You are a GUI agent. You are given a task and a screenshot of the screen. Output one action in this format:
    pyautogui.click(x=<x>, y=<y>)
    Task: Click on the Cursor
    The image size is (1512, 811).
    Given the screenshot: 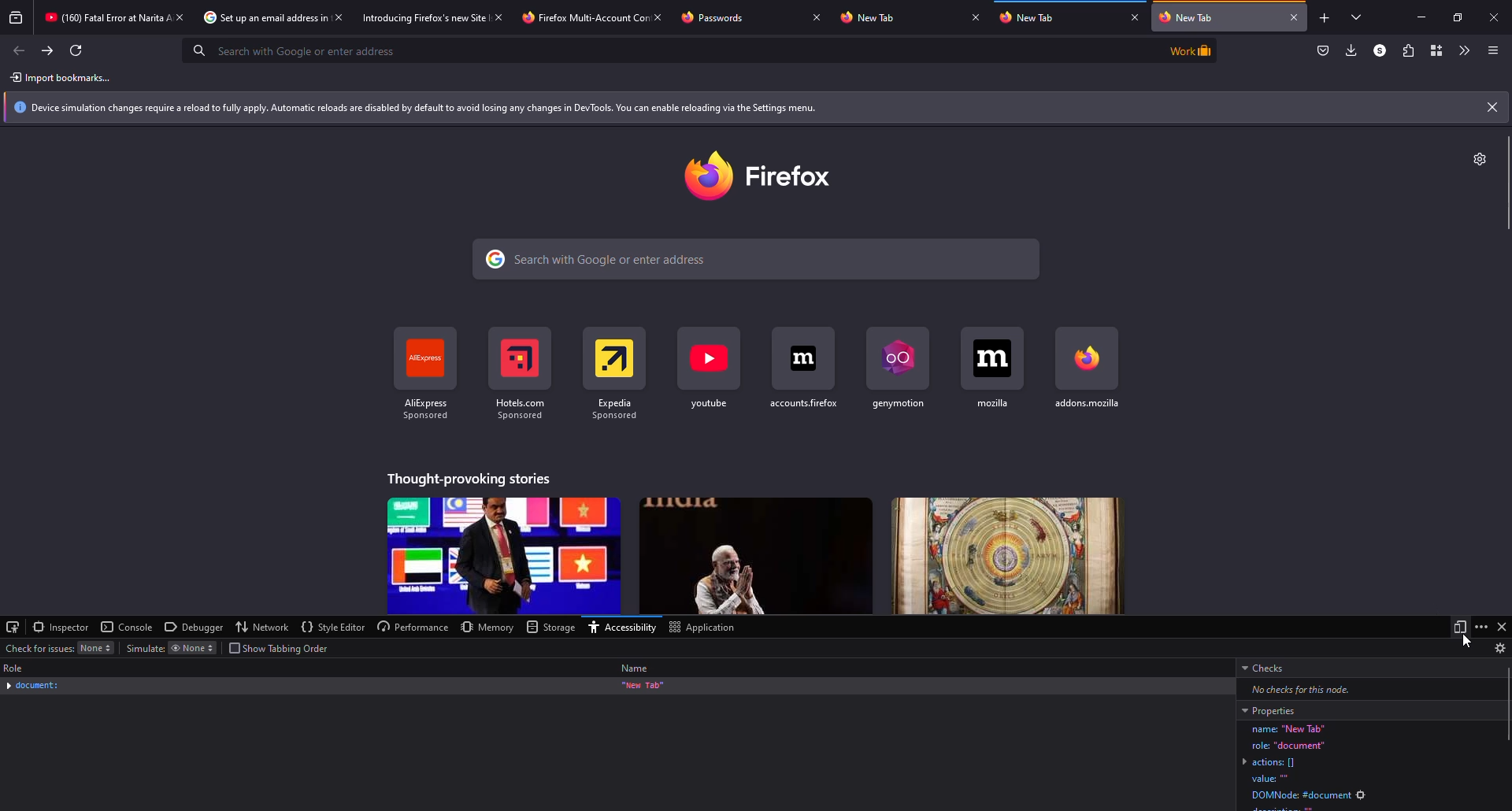 What is the action you would take?
    pyautogui.click(x=1466, y=641)
    